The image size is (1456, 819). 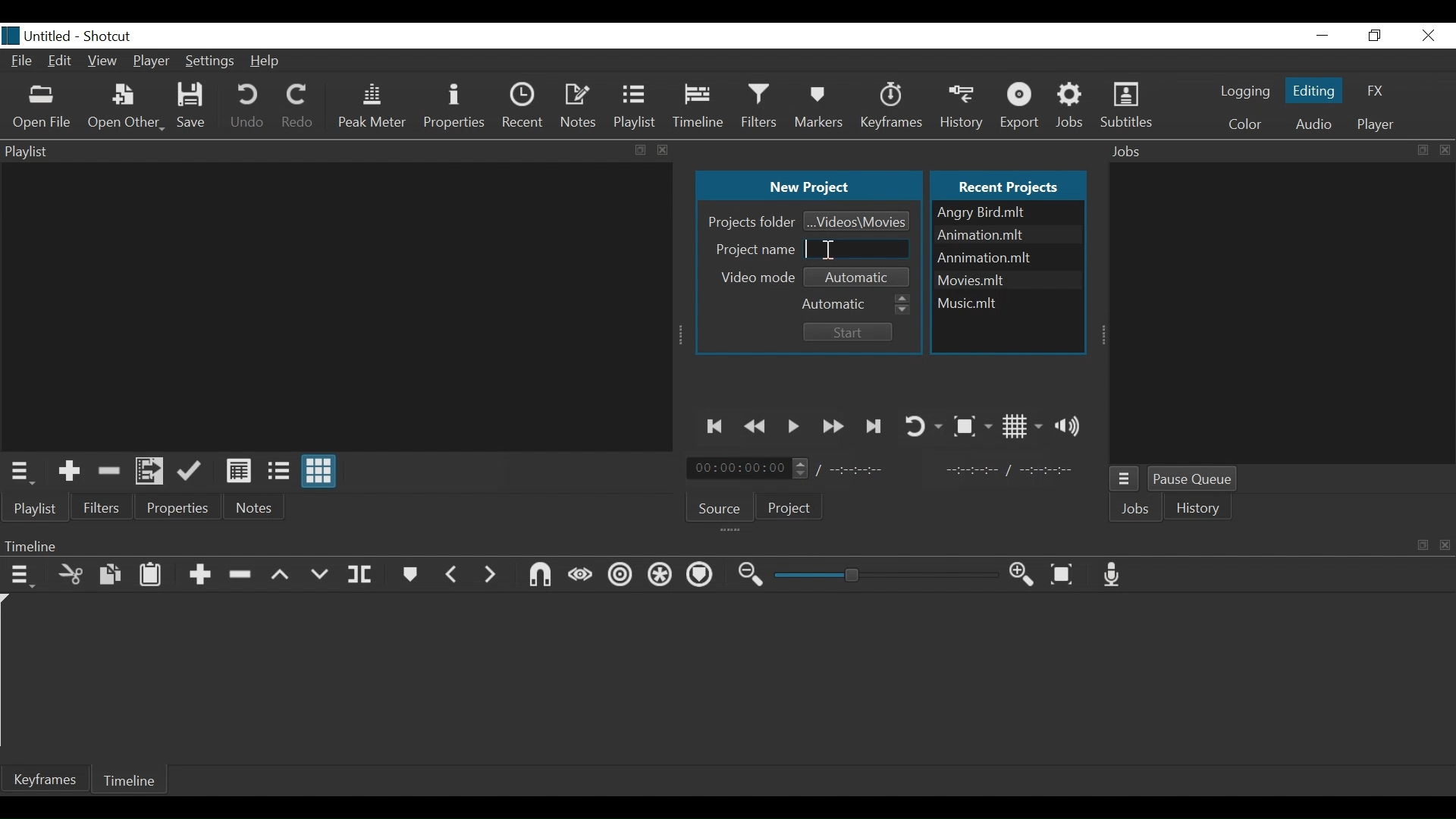 I want to click on Pause Queue, so click(x=1198, y=481).